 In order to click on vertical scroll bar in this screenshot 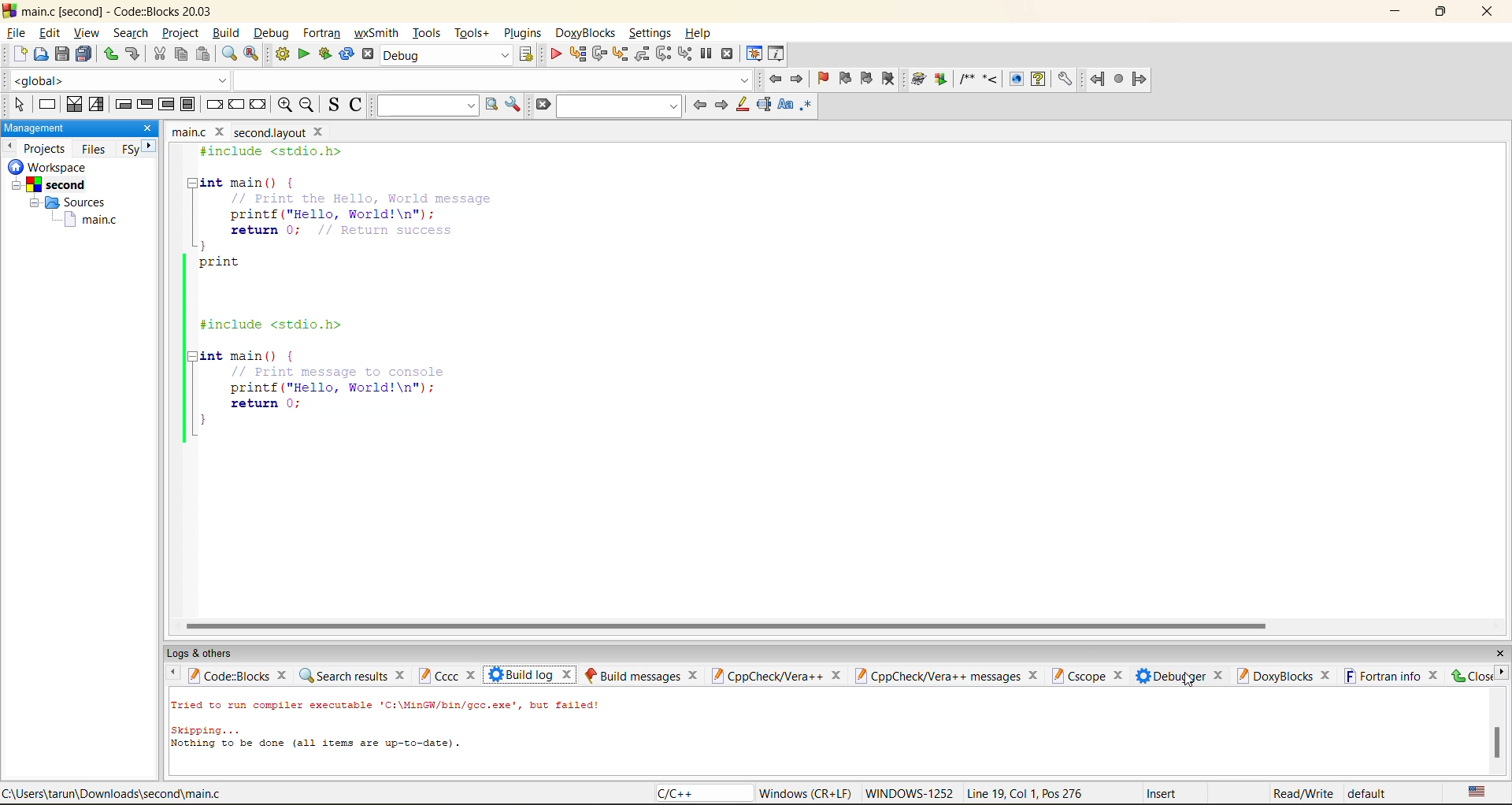, I will do `click(1497, 741)`.